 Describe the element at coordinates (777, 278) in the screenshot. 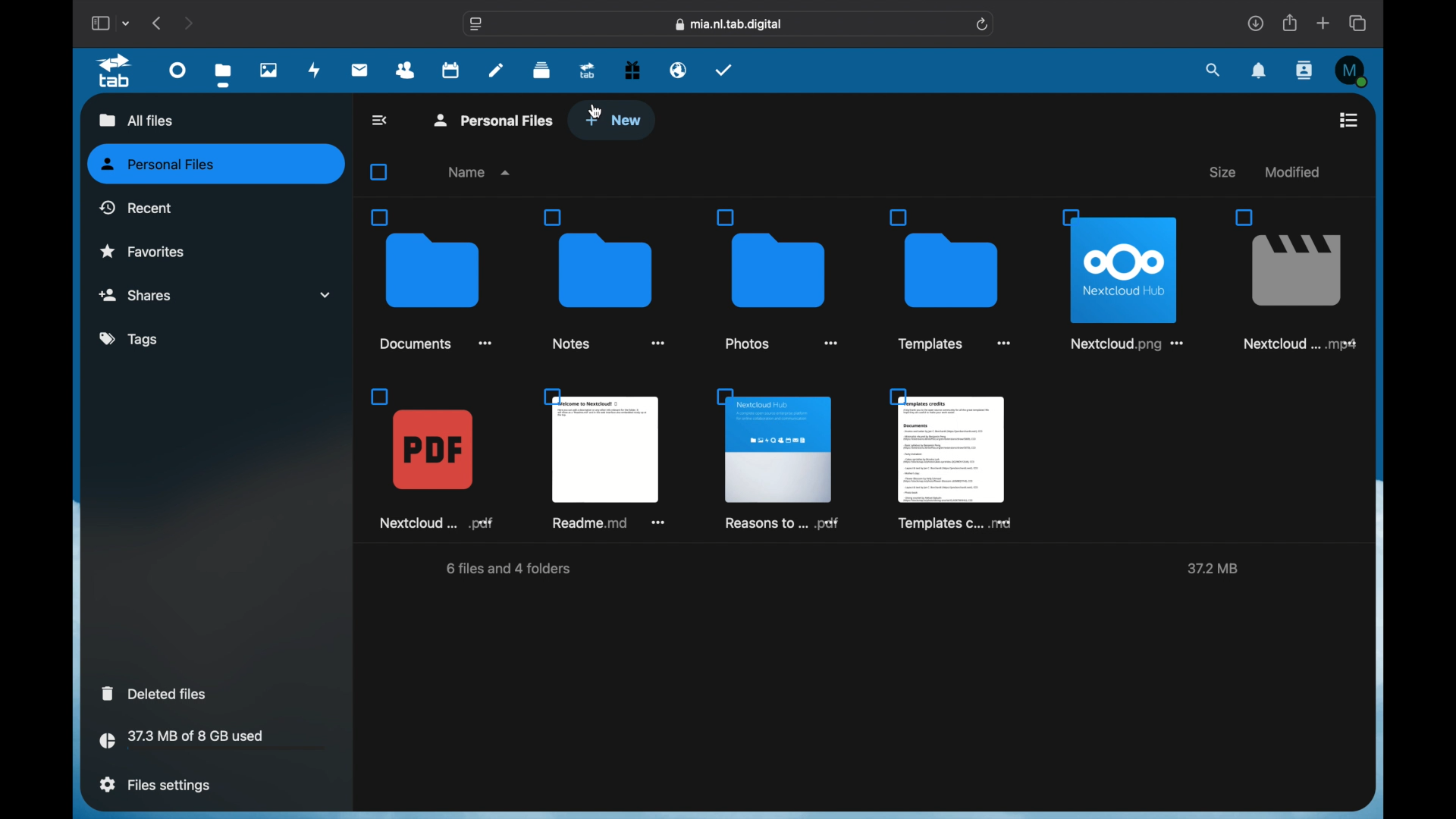

I see `folder` at that location.